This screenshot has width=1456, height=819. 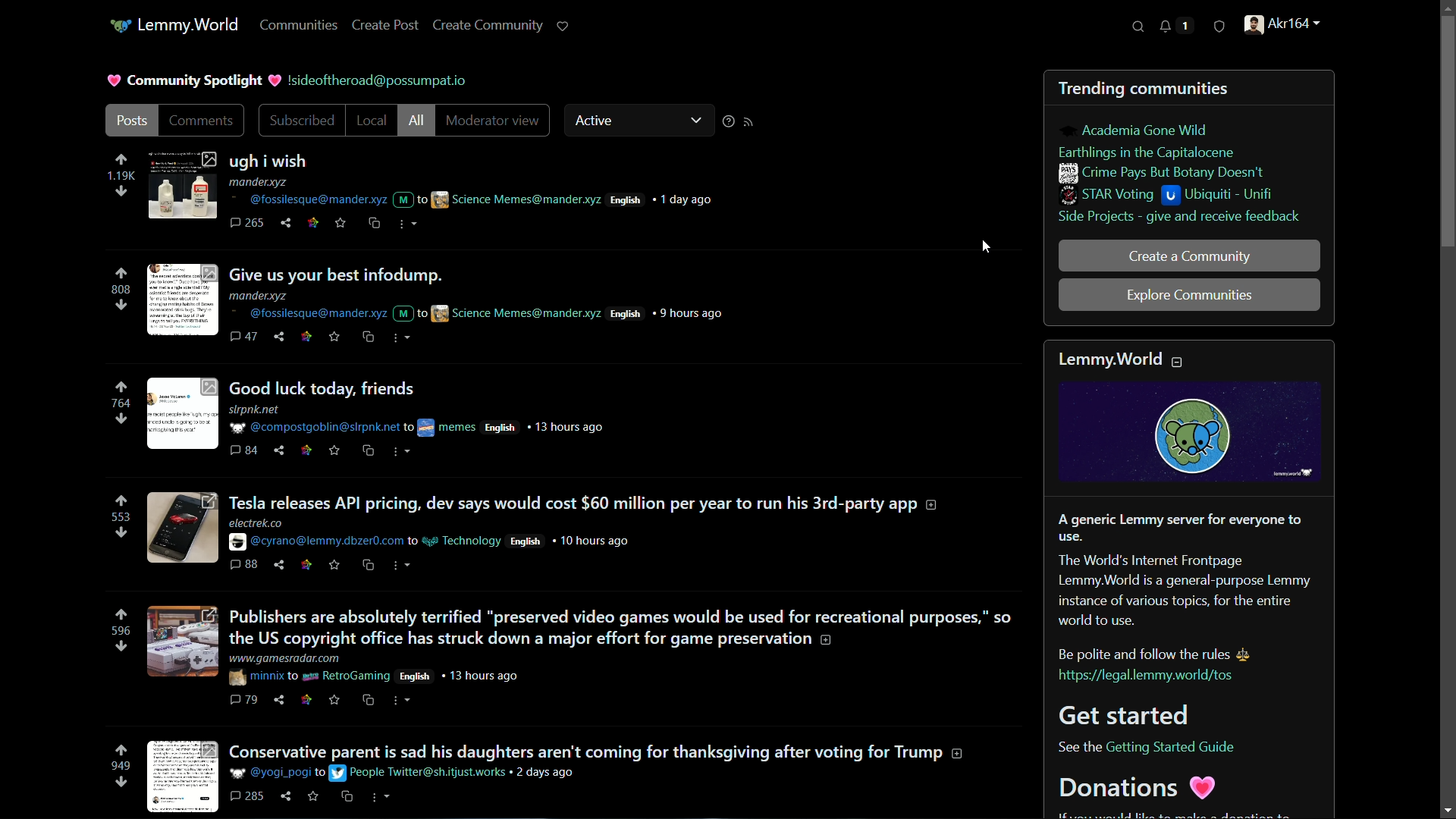 I want to click on cross psot, so click(x=369, y=337).